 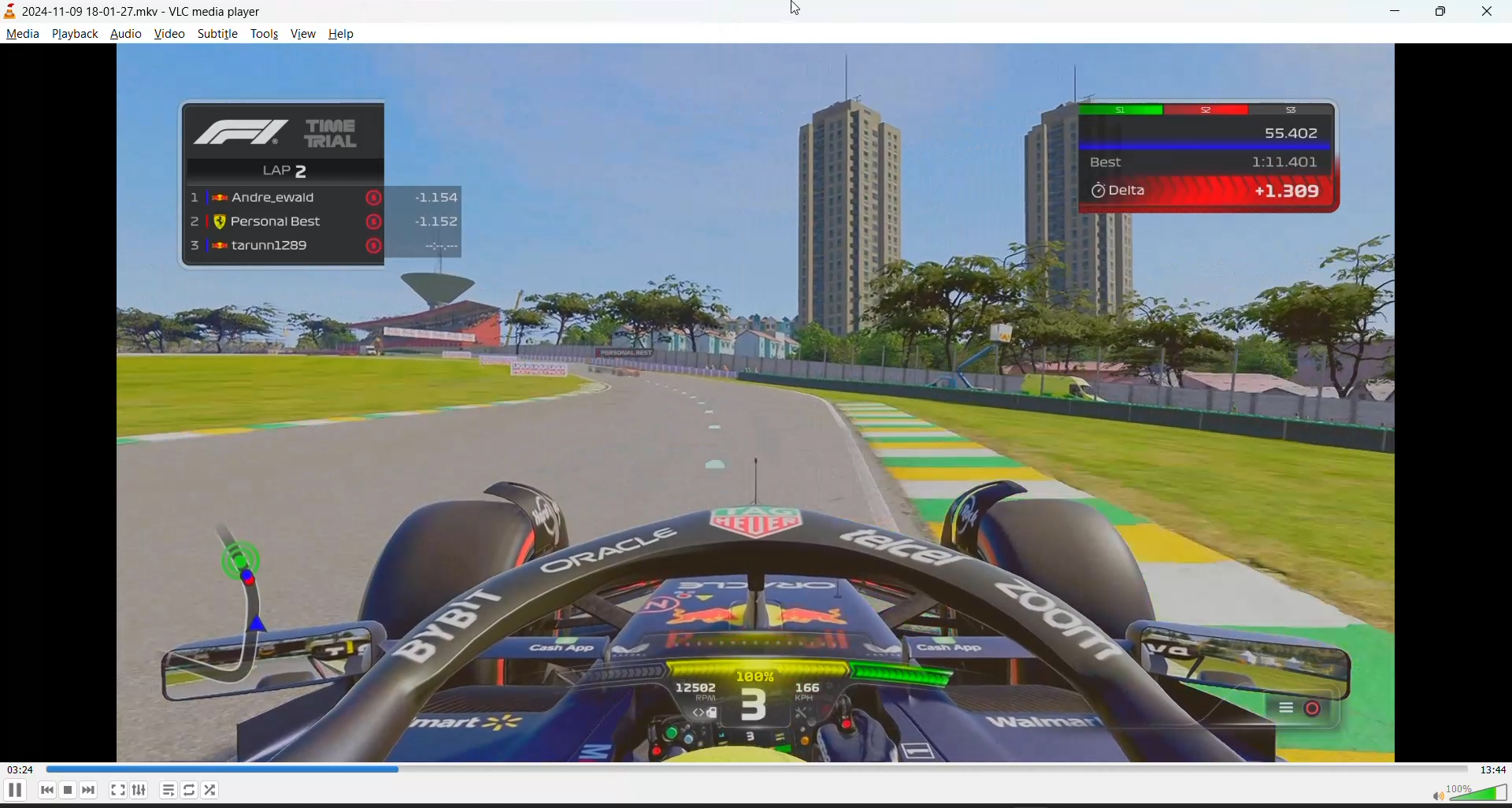 What do you see at coordinates (20, 33) in the screenshot?
I see `media` at bounding box center [20, 33].